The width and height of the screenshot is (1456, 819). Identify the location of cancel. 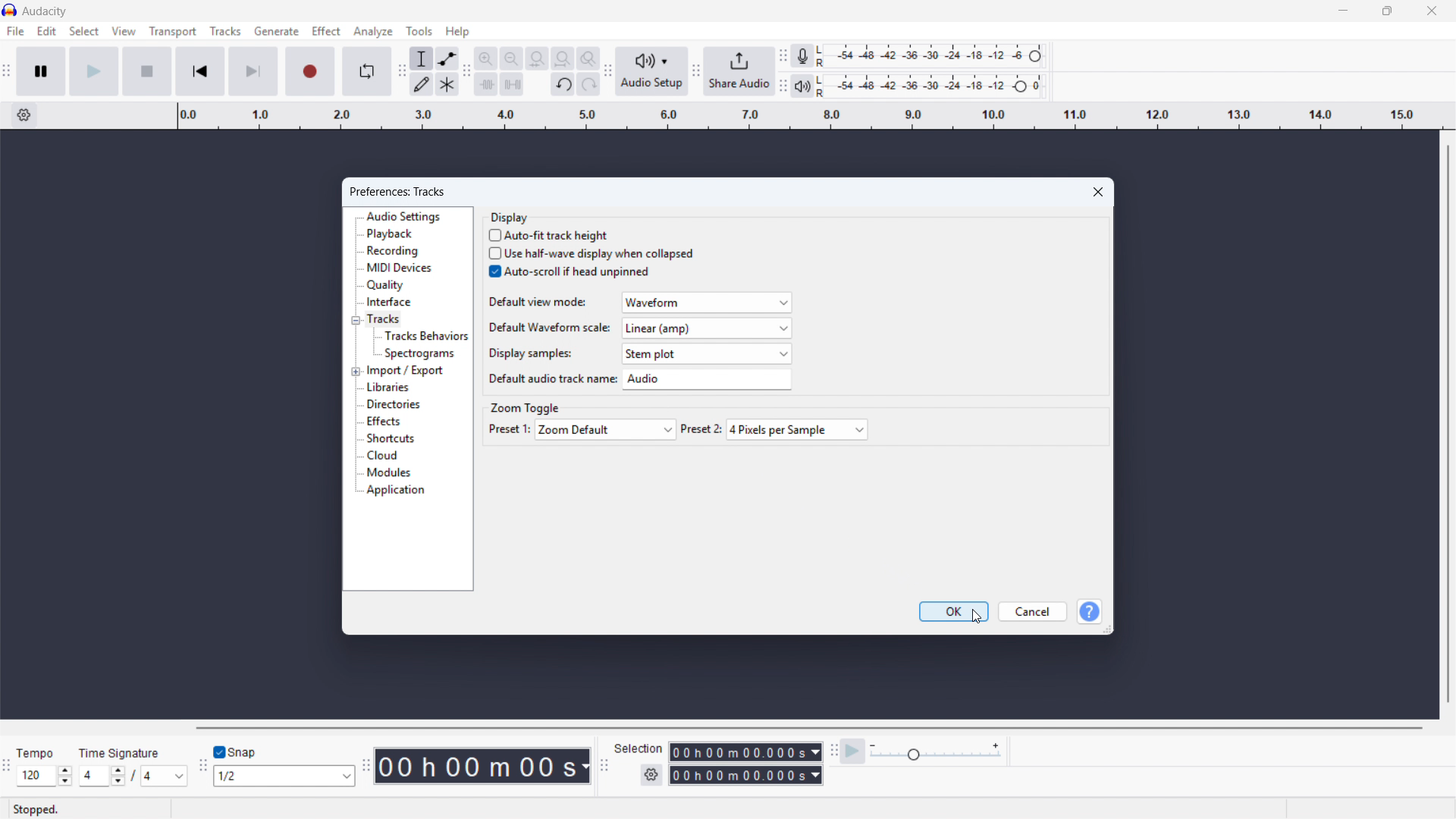
(1033, 611).